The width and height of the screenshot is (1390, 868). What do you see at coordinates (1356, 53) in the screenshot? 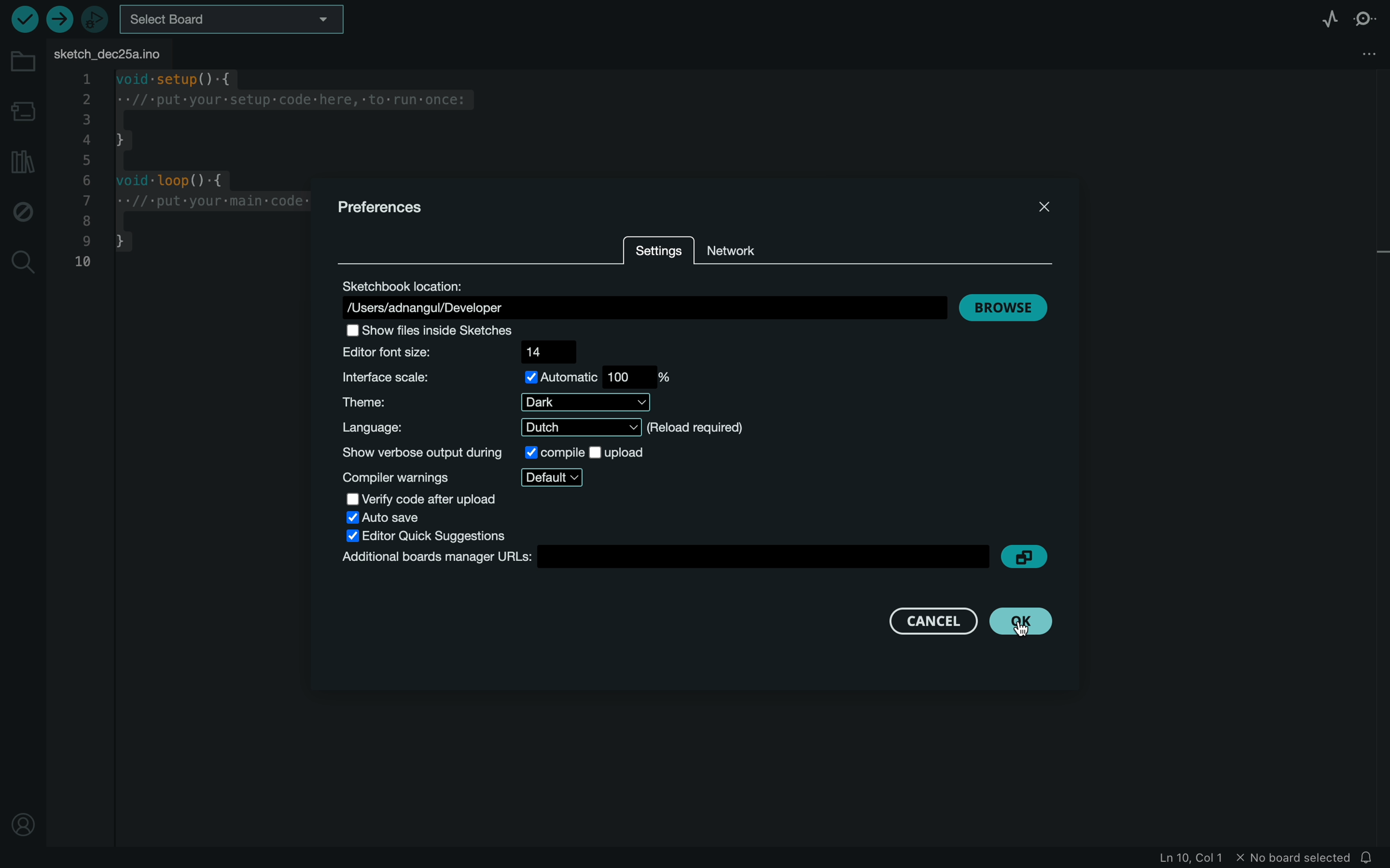
I see `file  setting` at bounding box center [1356, 53].